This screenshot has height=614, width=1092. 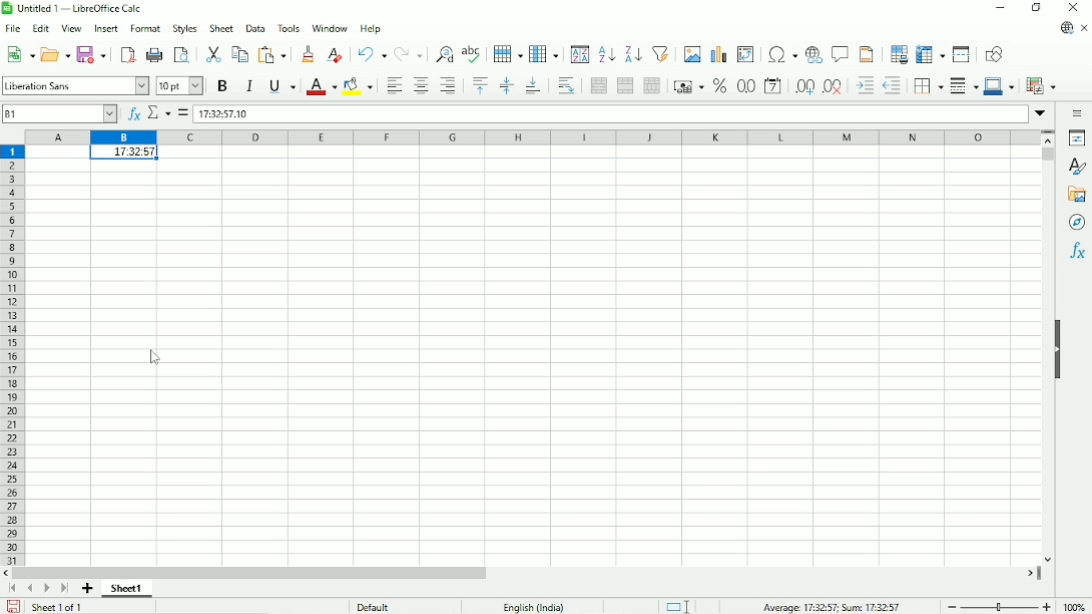 What do you see at coordinates (146, 28) in the screenshot?
I see `Format` at bounding box center [146, 28].